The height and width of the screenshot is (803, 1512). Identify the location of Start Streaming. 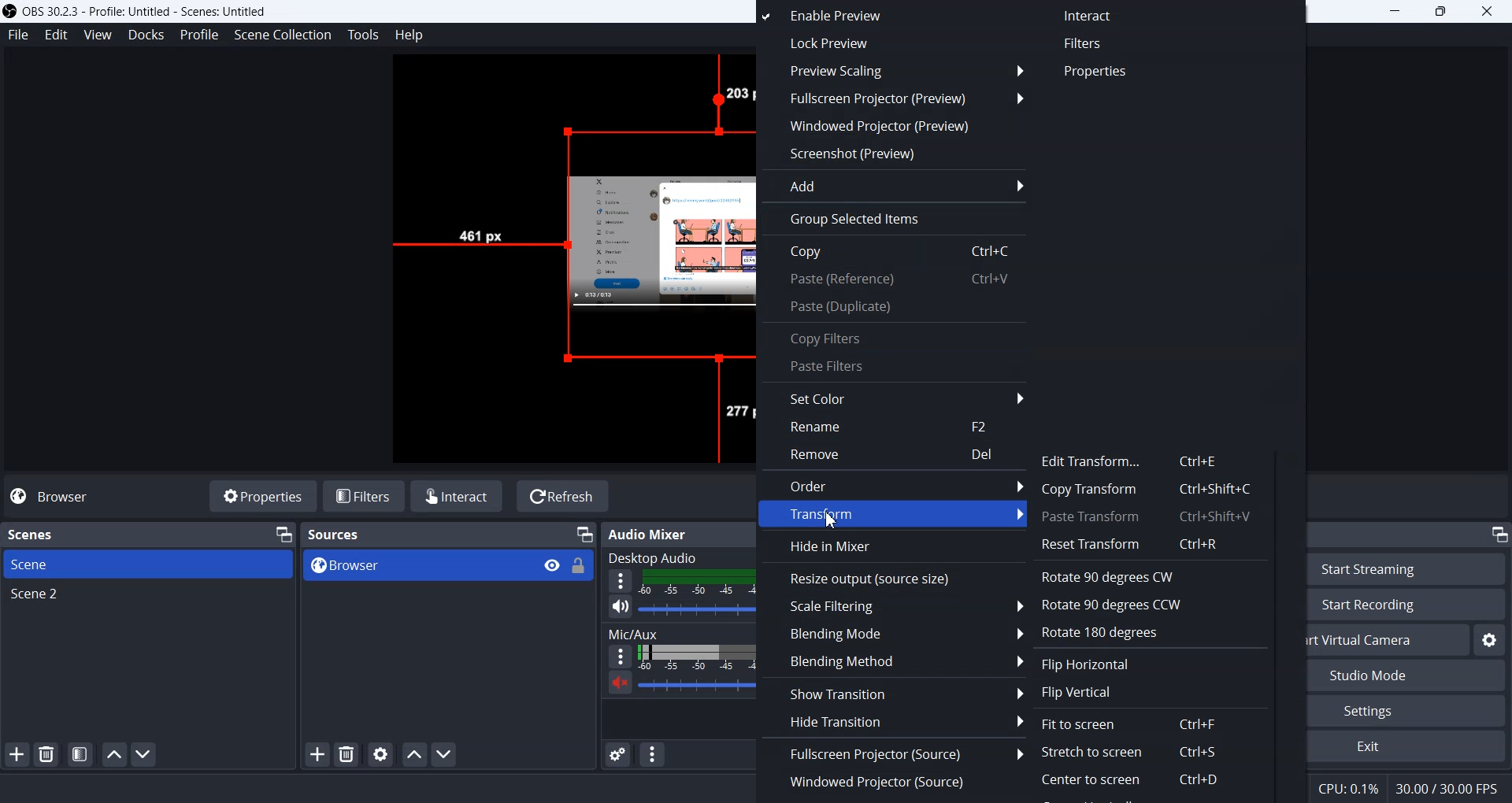
(1410, 568).